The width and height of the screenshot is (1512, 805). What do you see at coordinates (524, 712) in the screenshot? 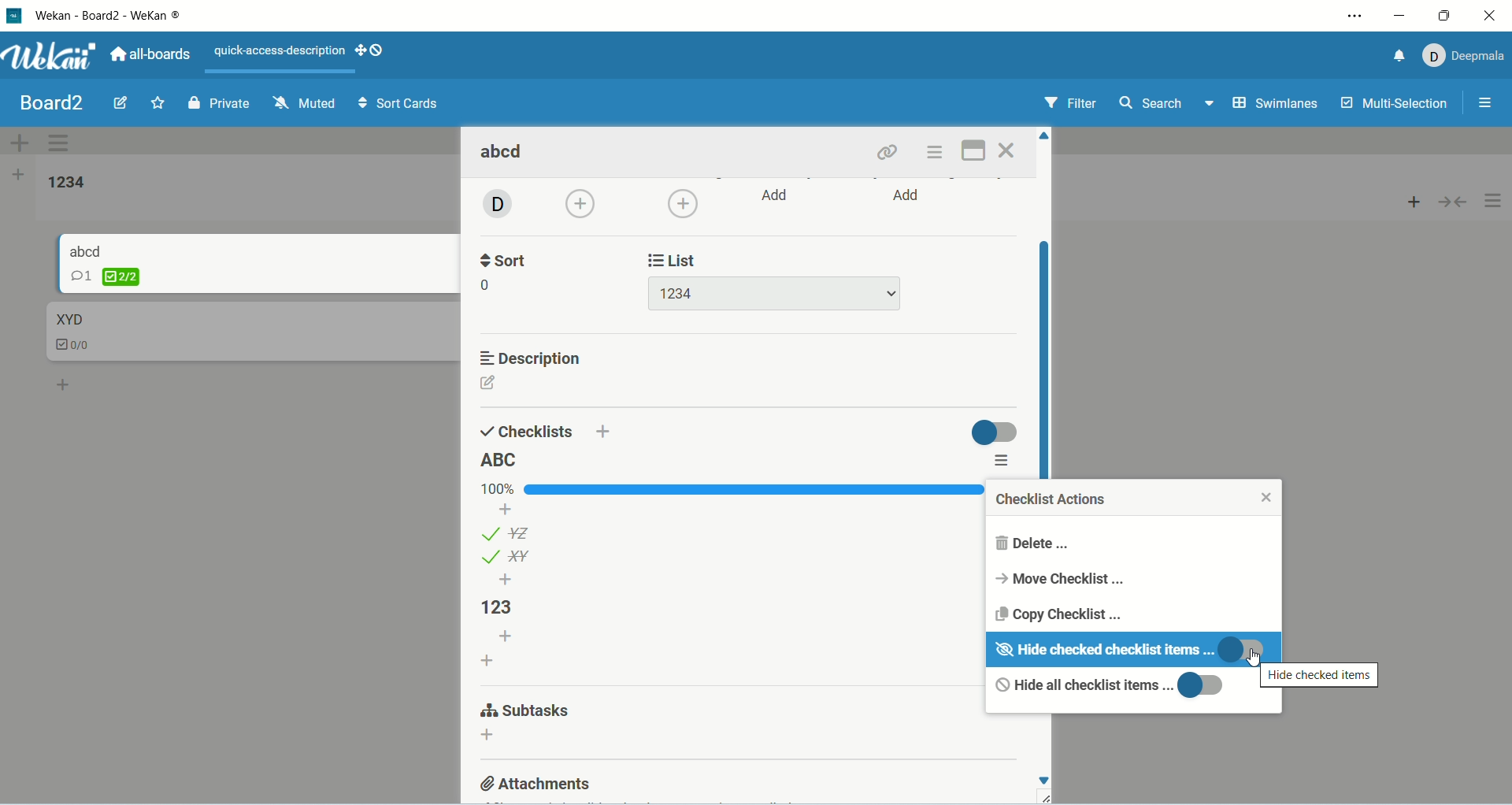
I see `subtasks` at bounding box center [524, 712].